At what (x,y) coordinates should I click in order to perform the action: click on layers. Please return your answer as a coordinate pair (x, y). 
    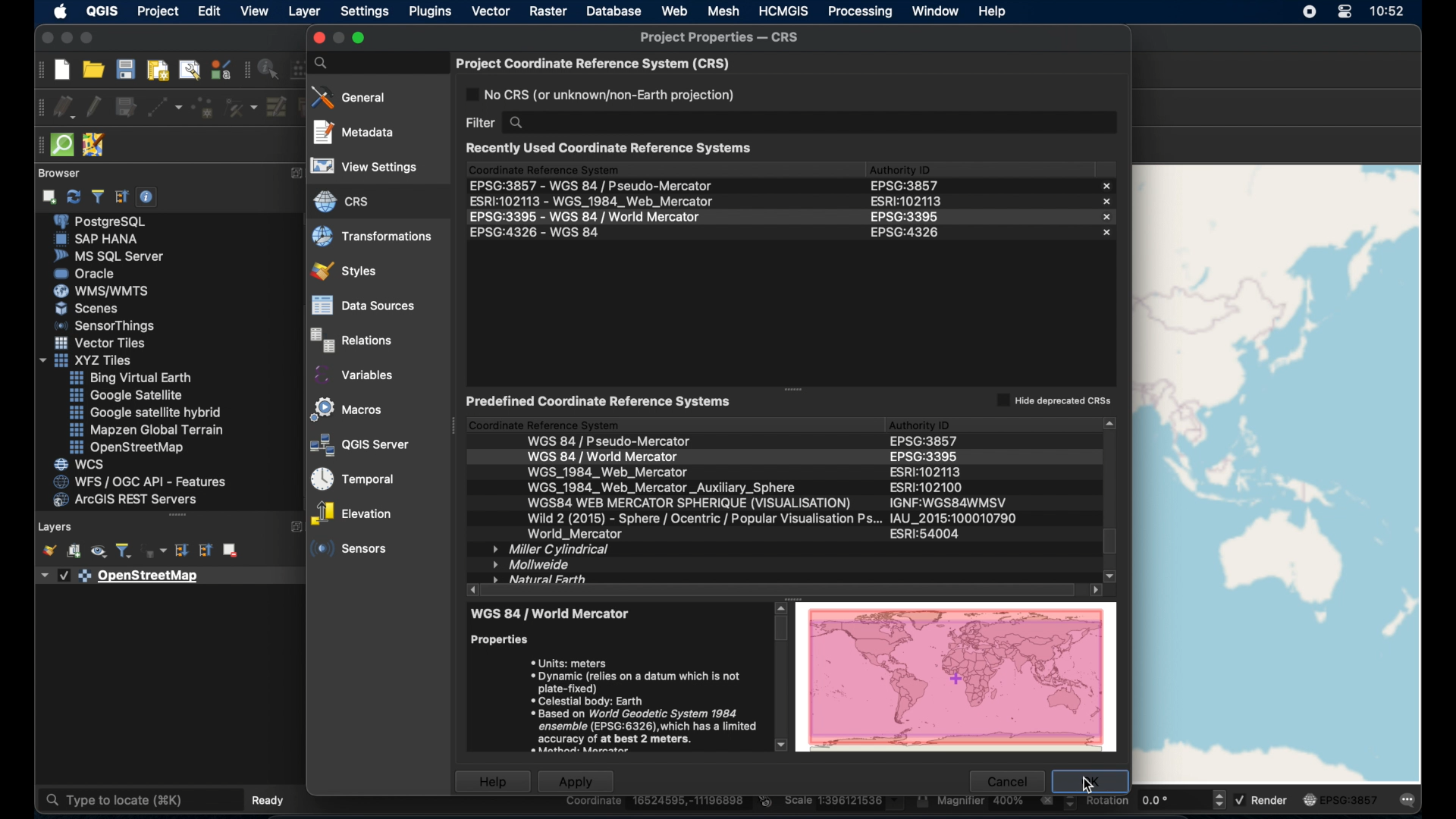
    Looking at the image, I should click on (57, 525).